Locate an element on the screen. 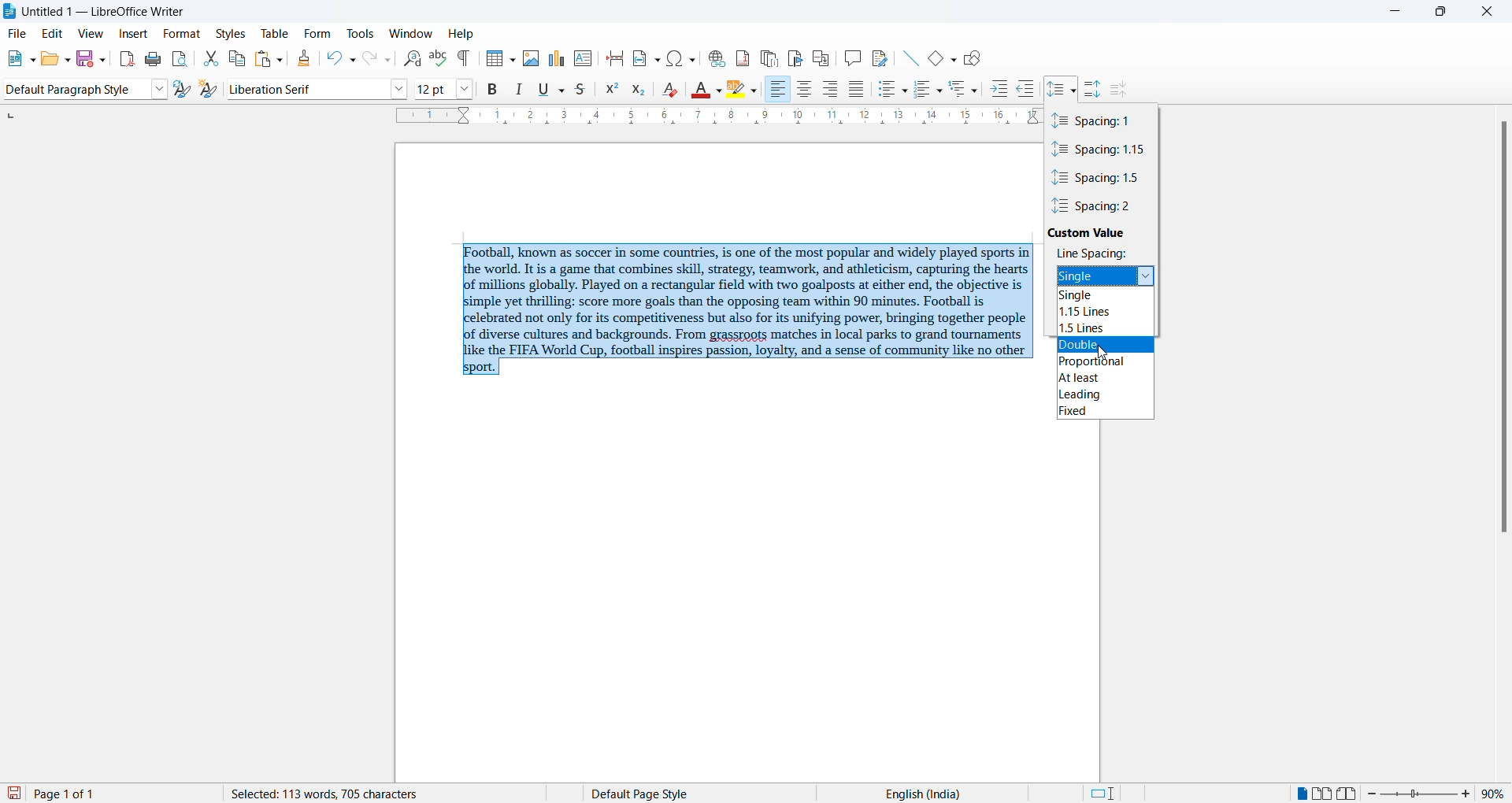 The width and height of the screenshot is (1512, 803). clear direct formatting is located at coordinates (669, 88).